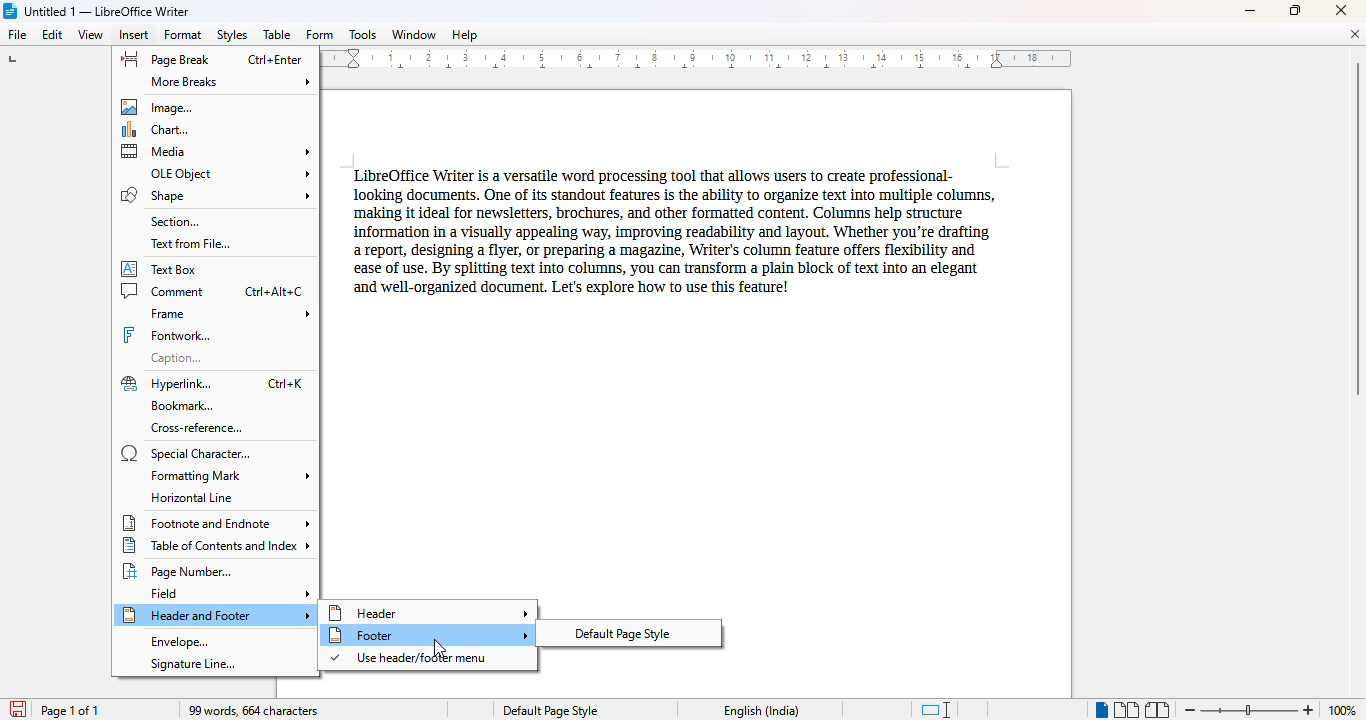 The image size is (1366, 720). I want to click on page break, so click(210, 59).